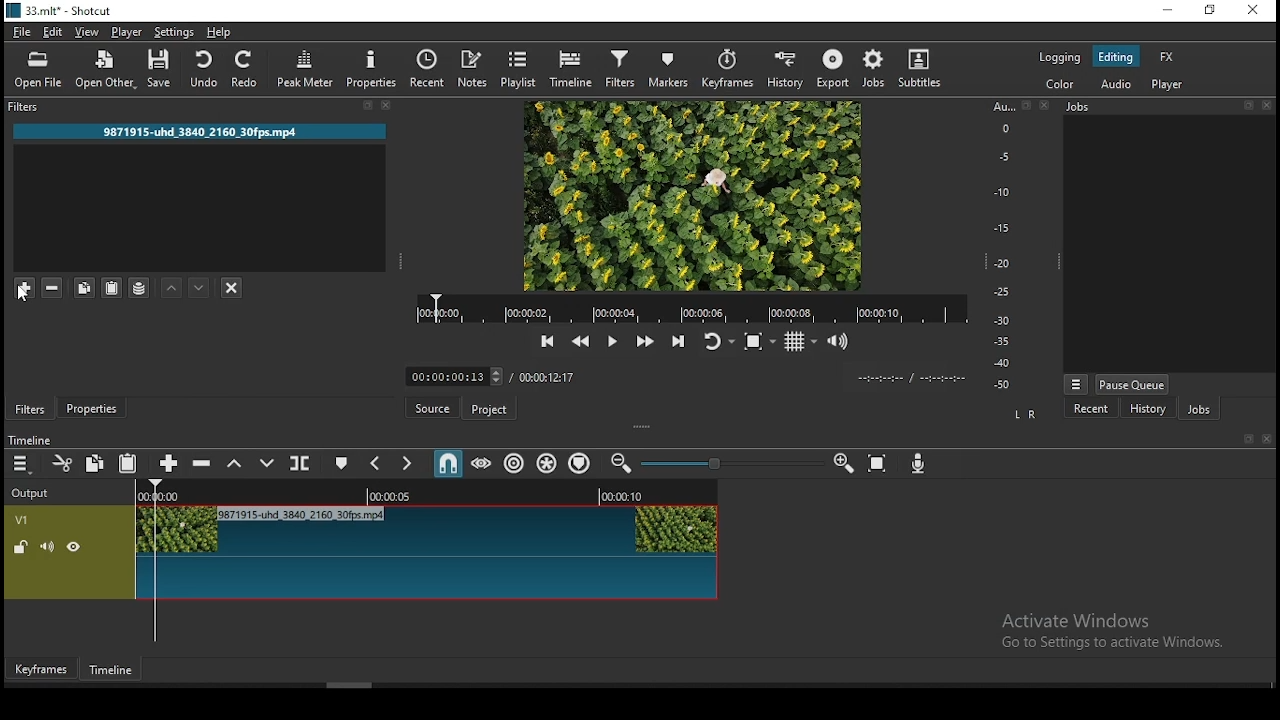 The height and width of the screenshot is (720, 1280). I want to click on increase decrease, so click(495, 375).